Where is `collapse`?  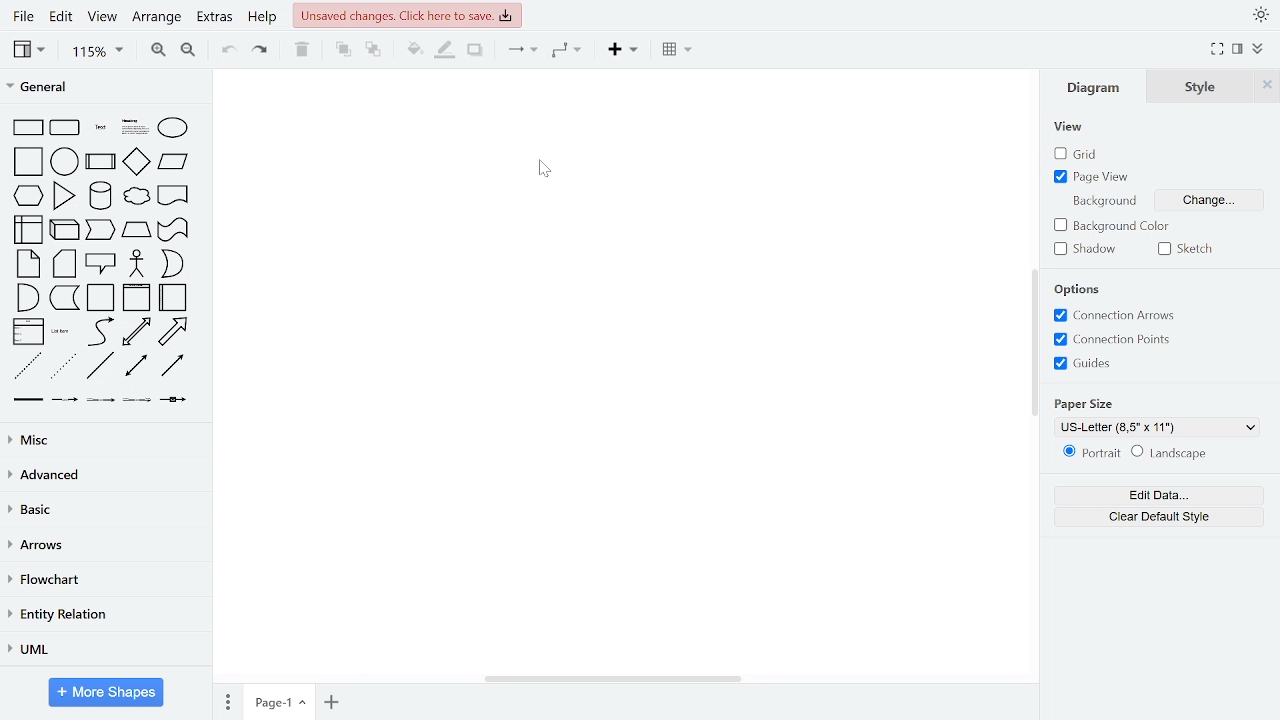
collapse is located at coordinates (1258, 49).